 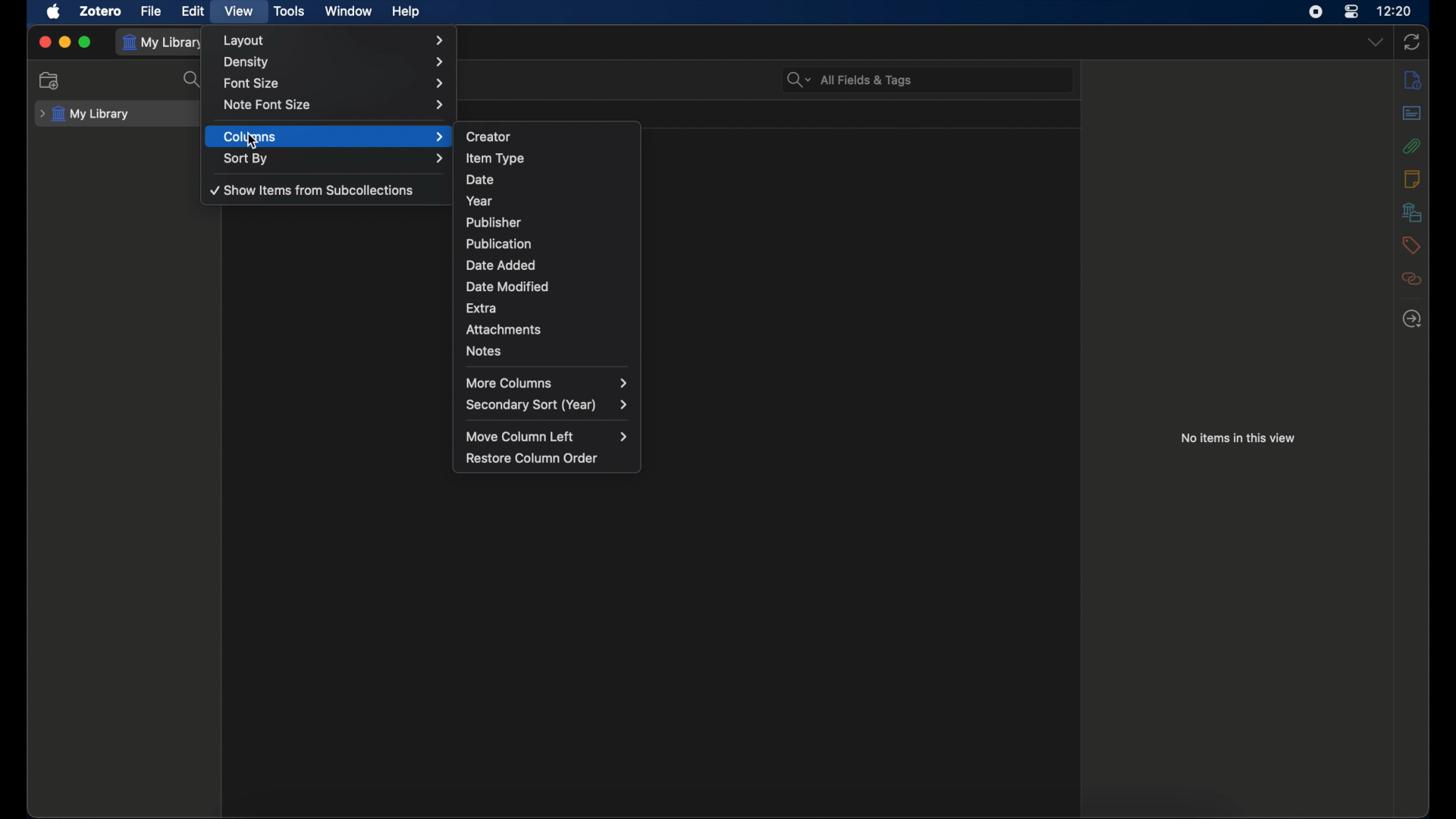 What do you see at coordinates (165, 43) in the screenshot?
I see `my library` at bounding box center [165, 43].